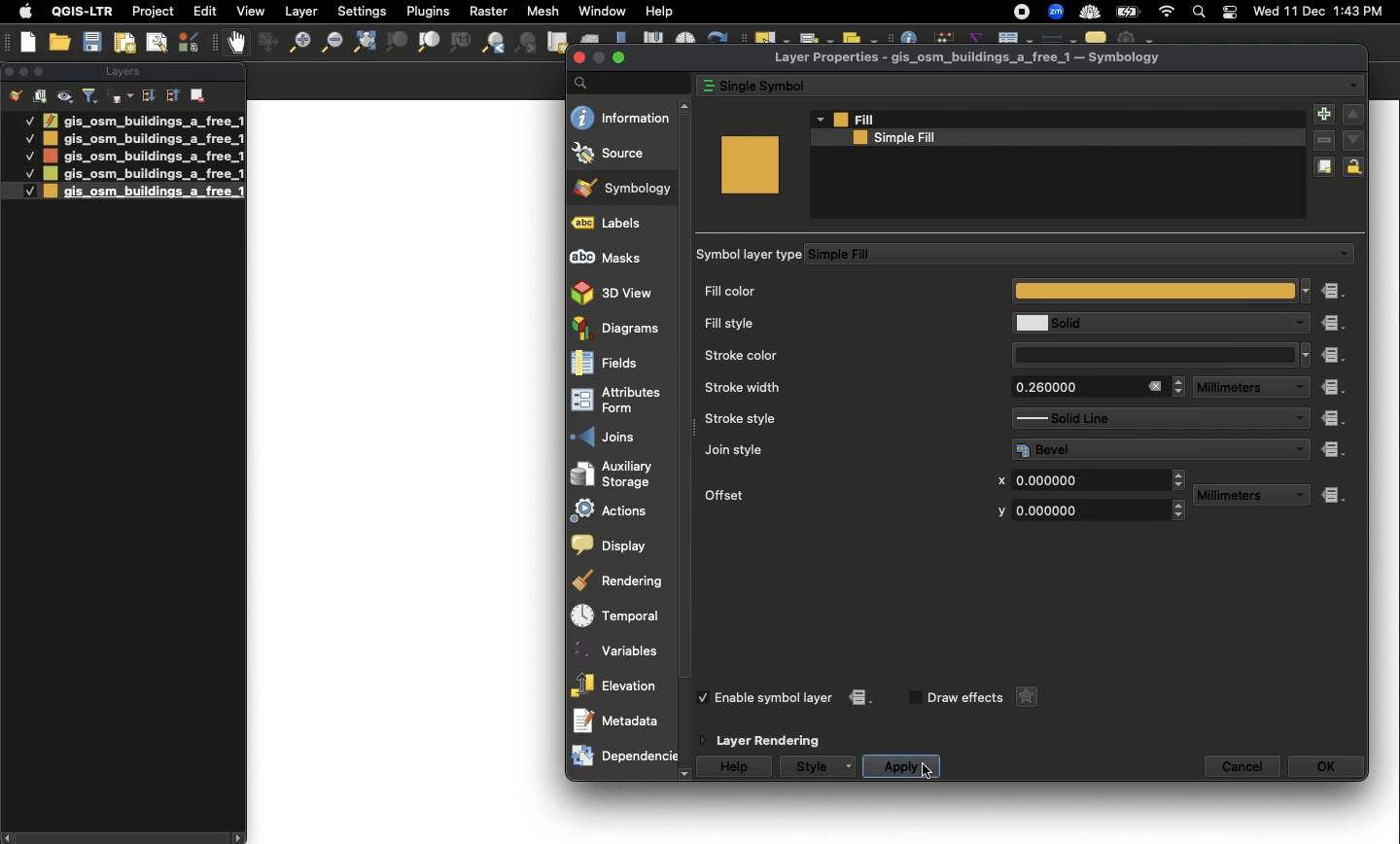  What do you see at coordinates (810, 766) in the screenshot?
I see `Style` at bounding box center [810, 766].